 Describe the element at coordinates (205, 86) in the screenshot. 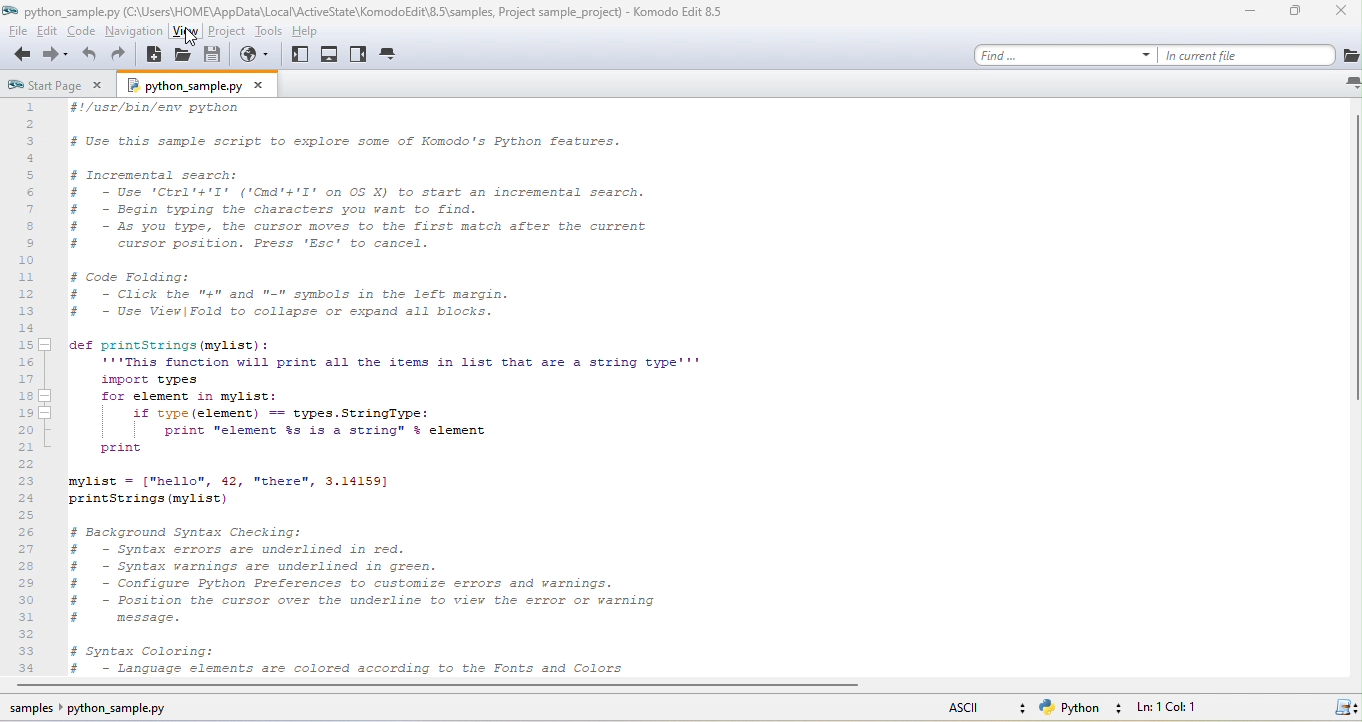

I see `python sample` at that location.